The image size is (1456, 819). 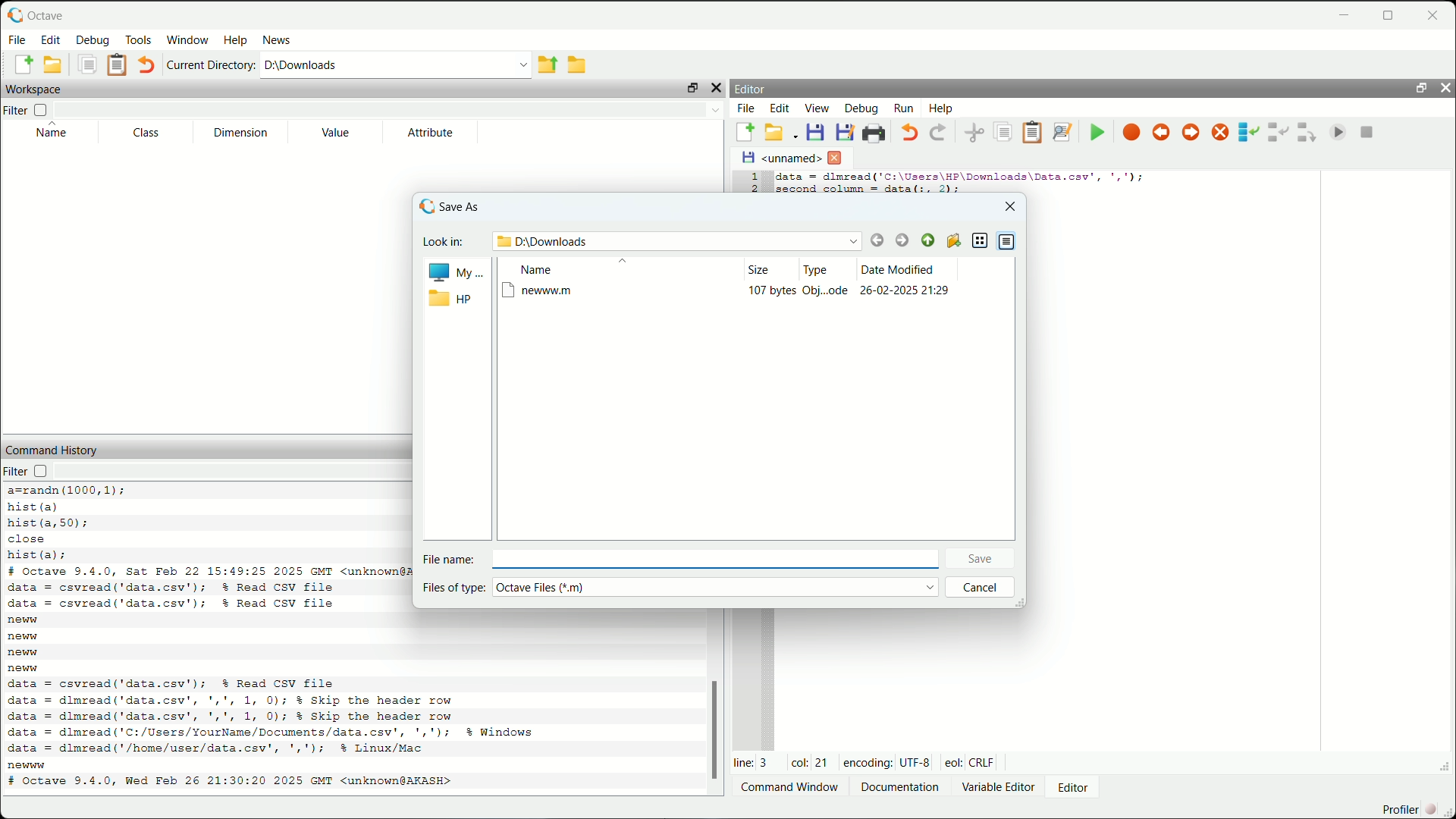 I want to click on My.., so click(x=452, y=271).